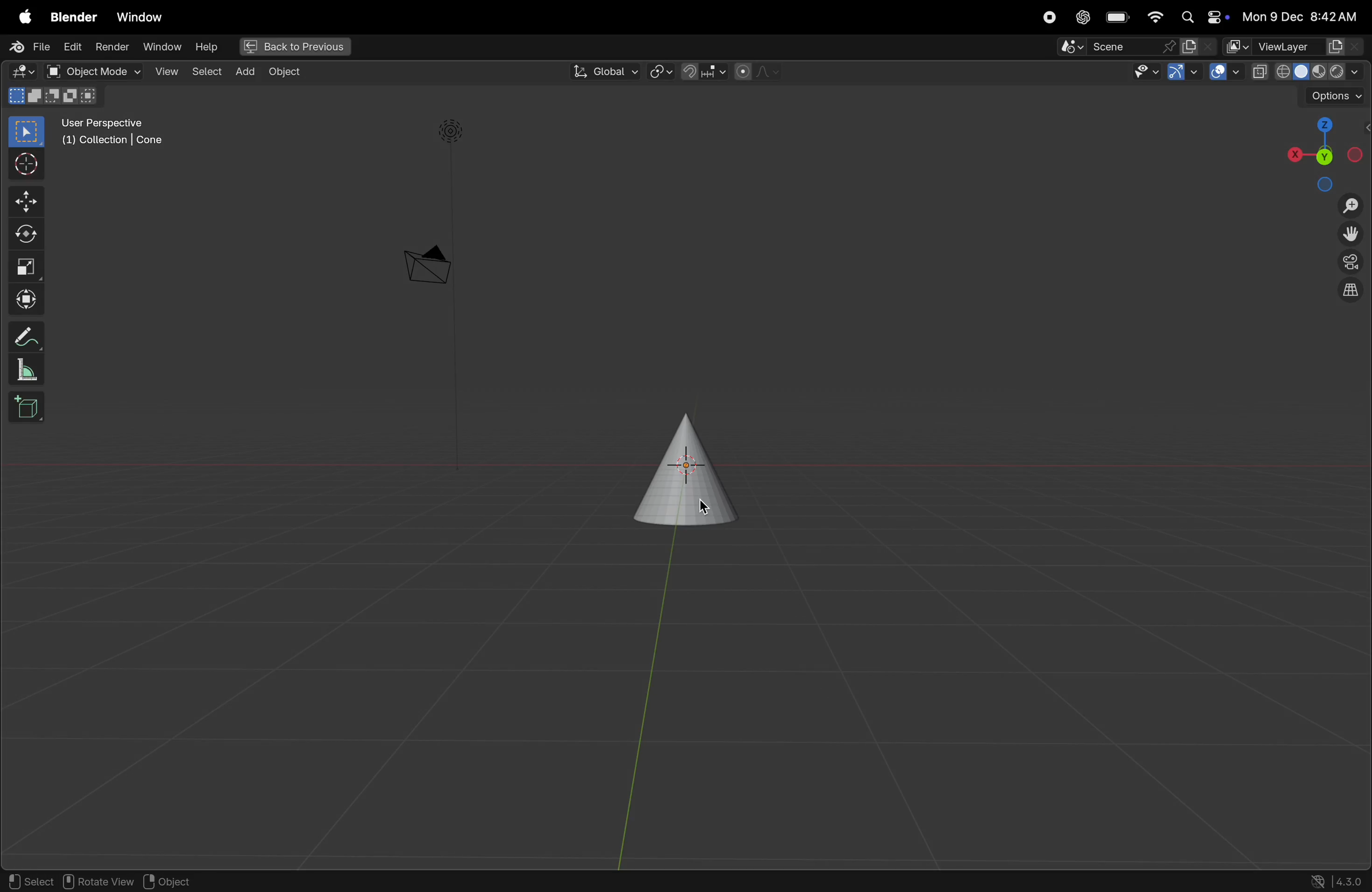 This screenshot has height=892, width=1372. What do you see at coordinates (93, 71) in the screenshot?
I see `object mode` at bounding box center [93, 71].